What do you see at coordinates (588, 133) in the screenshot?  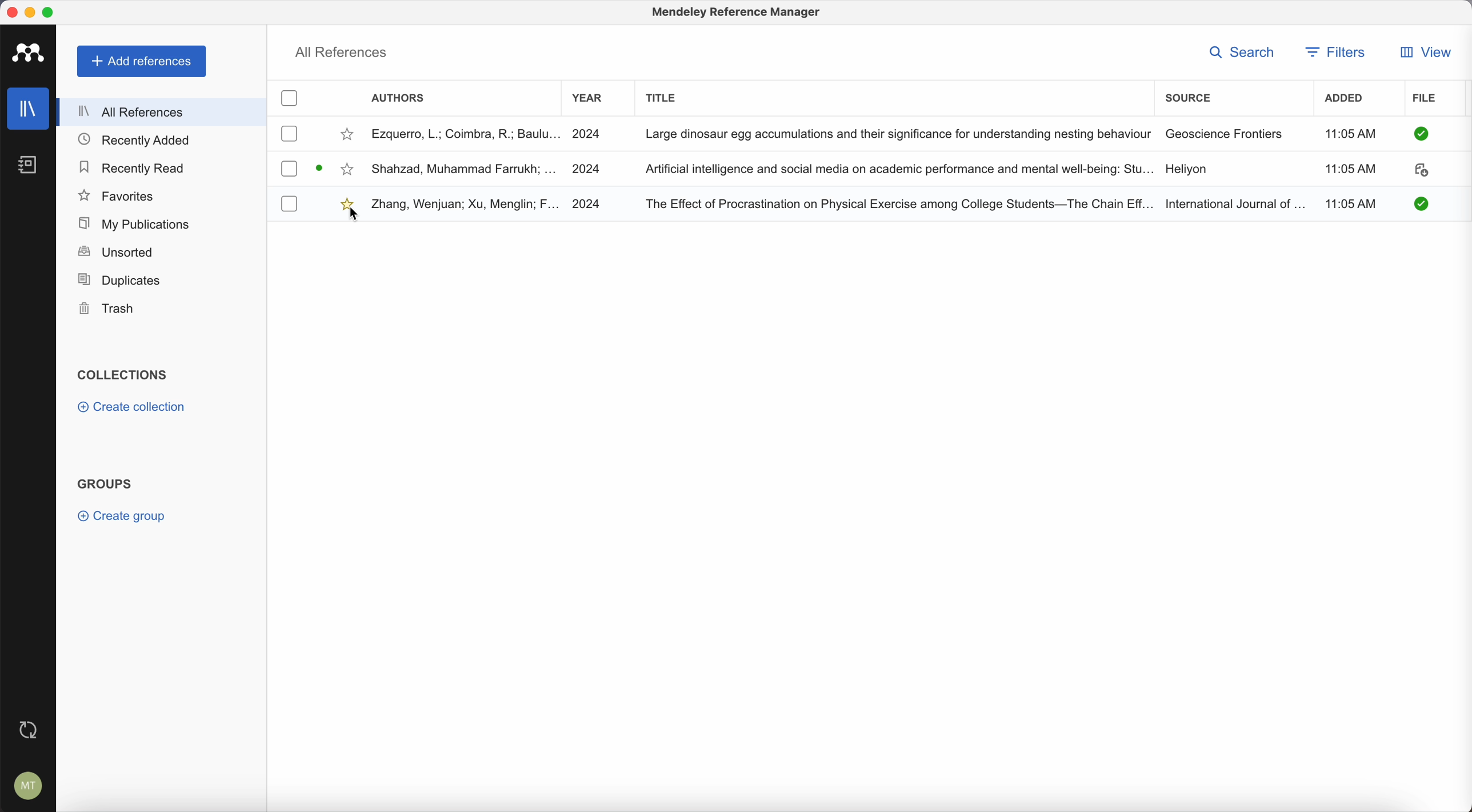 I see `2024` at bounding box center [588, 133].